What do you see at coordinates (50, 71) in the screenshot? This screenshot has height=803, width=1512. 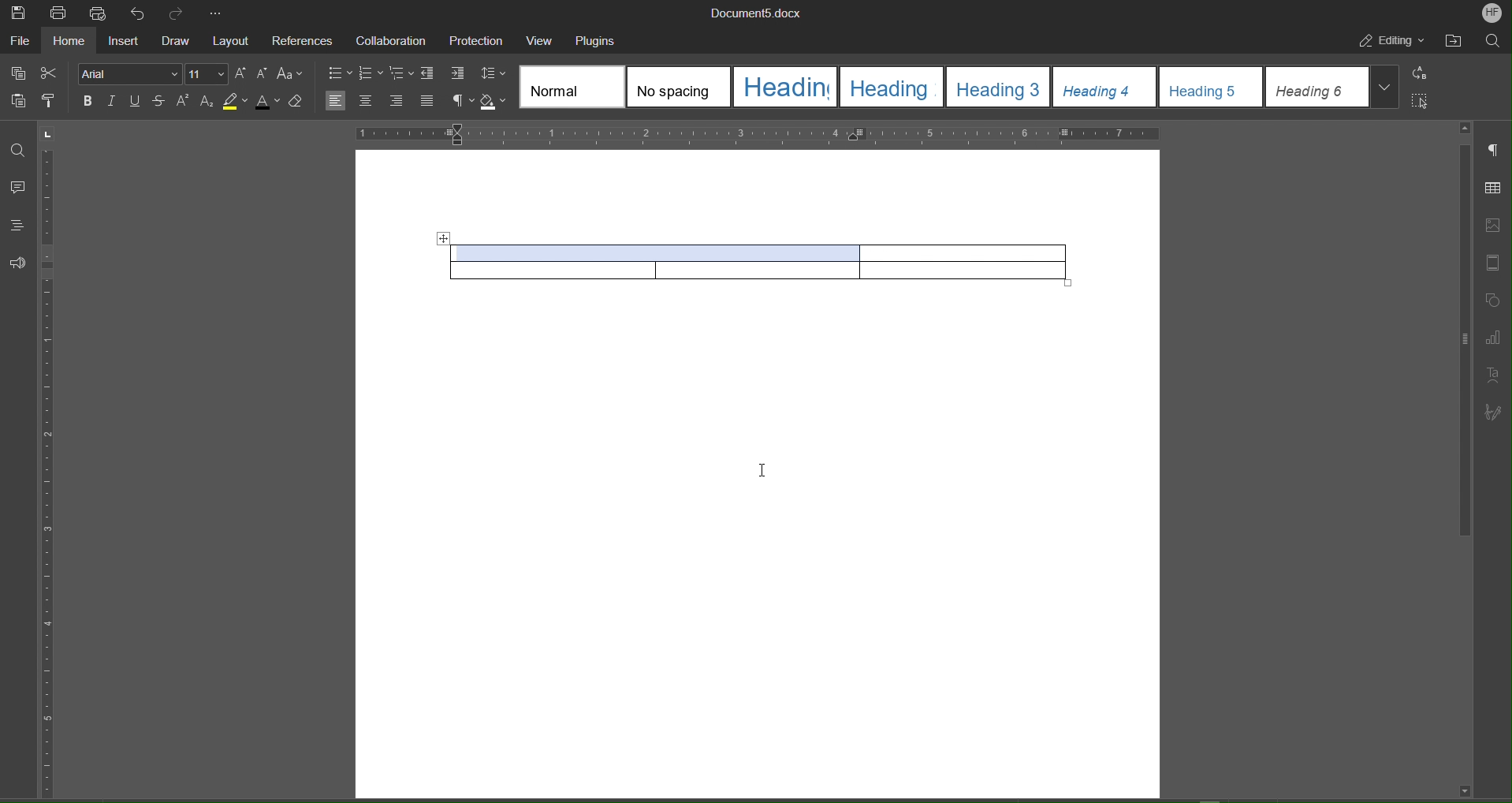 I see `Cut` at bounding box center [50, 71].